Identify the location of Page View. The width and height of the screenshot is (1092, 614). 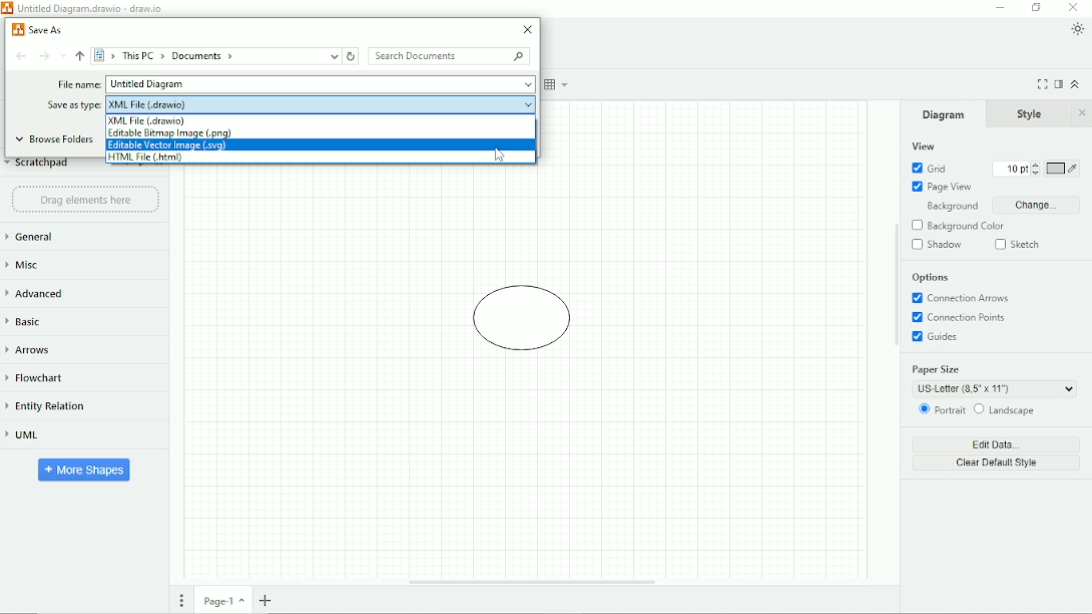
(941, 186).